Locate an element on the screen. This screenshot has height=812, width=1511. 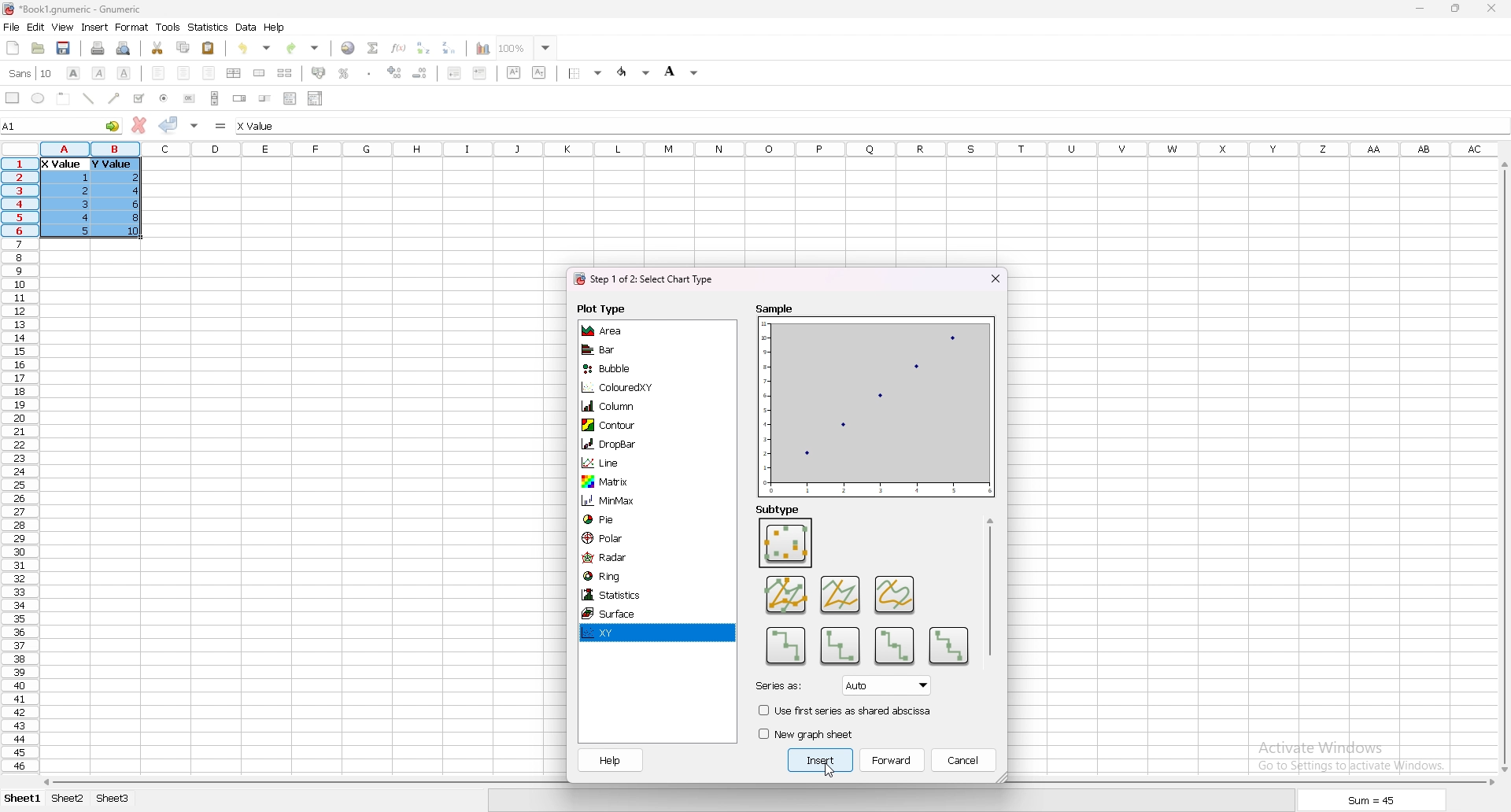
tickbox is located at coordinates (138, 98).